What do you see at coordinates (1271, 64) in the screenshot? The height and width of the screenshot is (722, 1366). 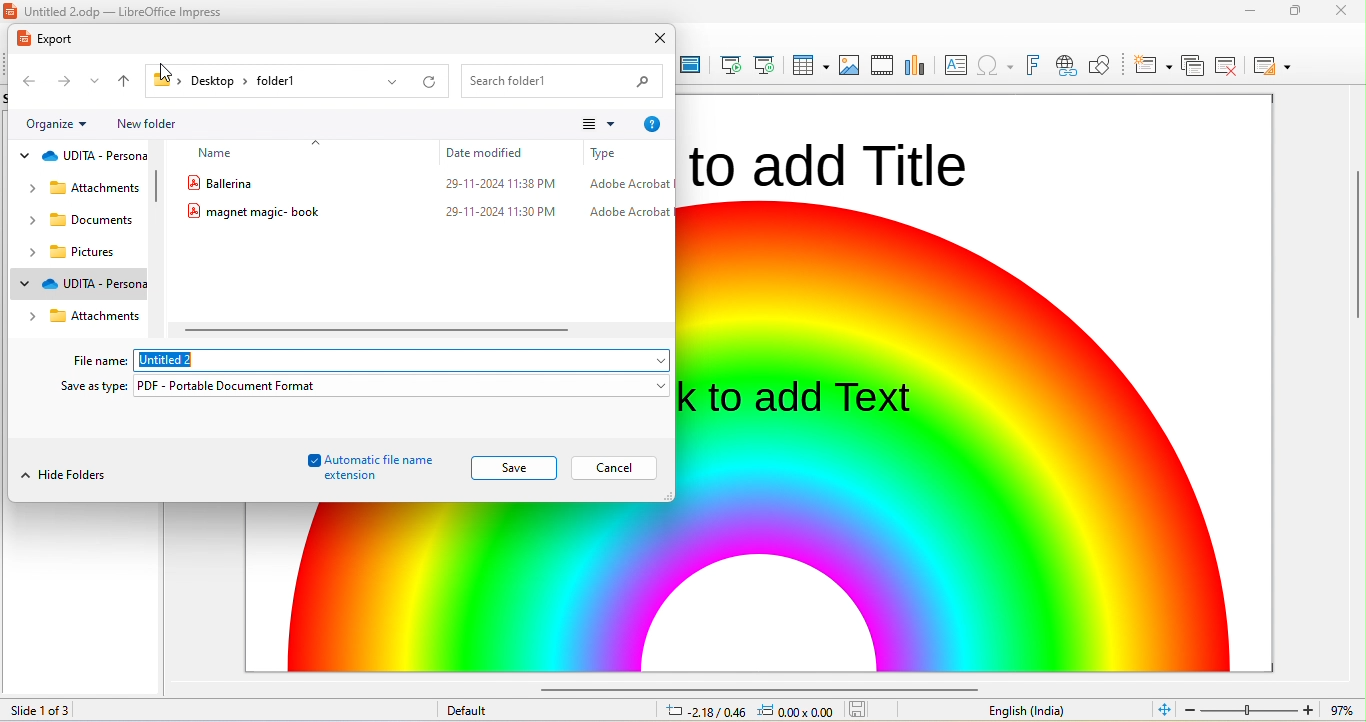 I see `slide layout` at bounding box center [1271, 64].